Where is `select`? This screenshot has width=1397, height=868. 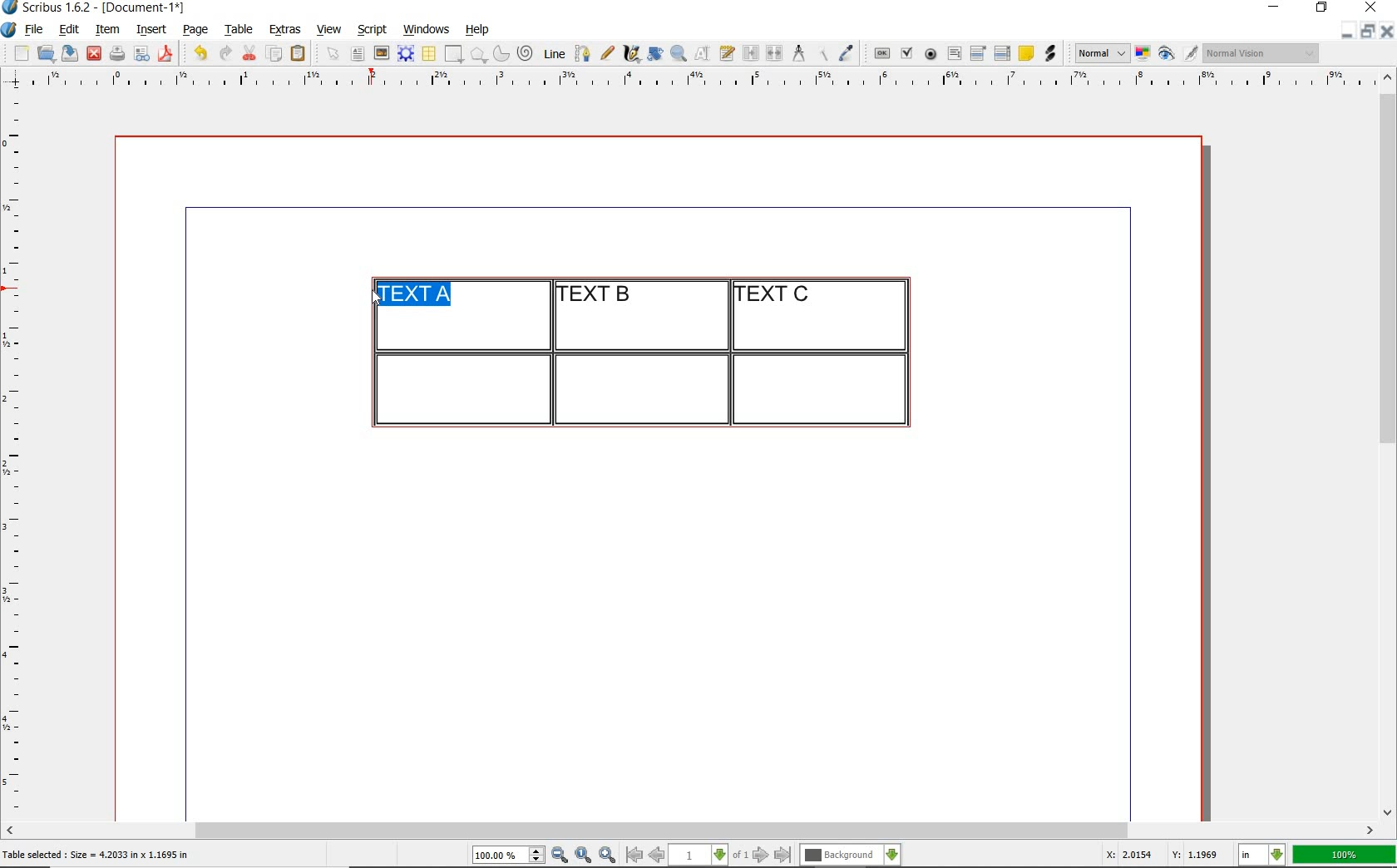
select is located at coordinates (334, 55).